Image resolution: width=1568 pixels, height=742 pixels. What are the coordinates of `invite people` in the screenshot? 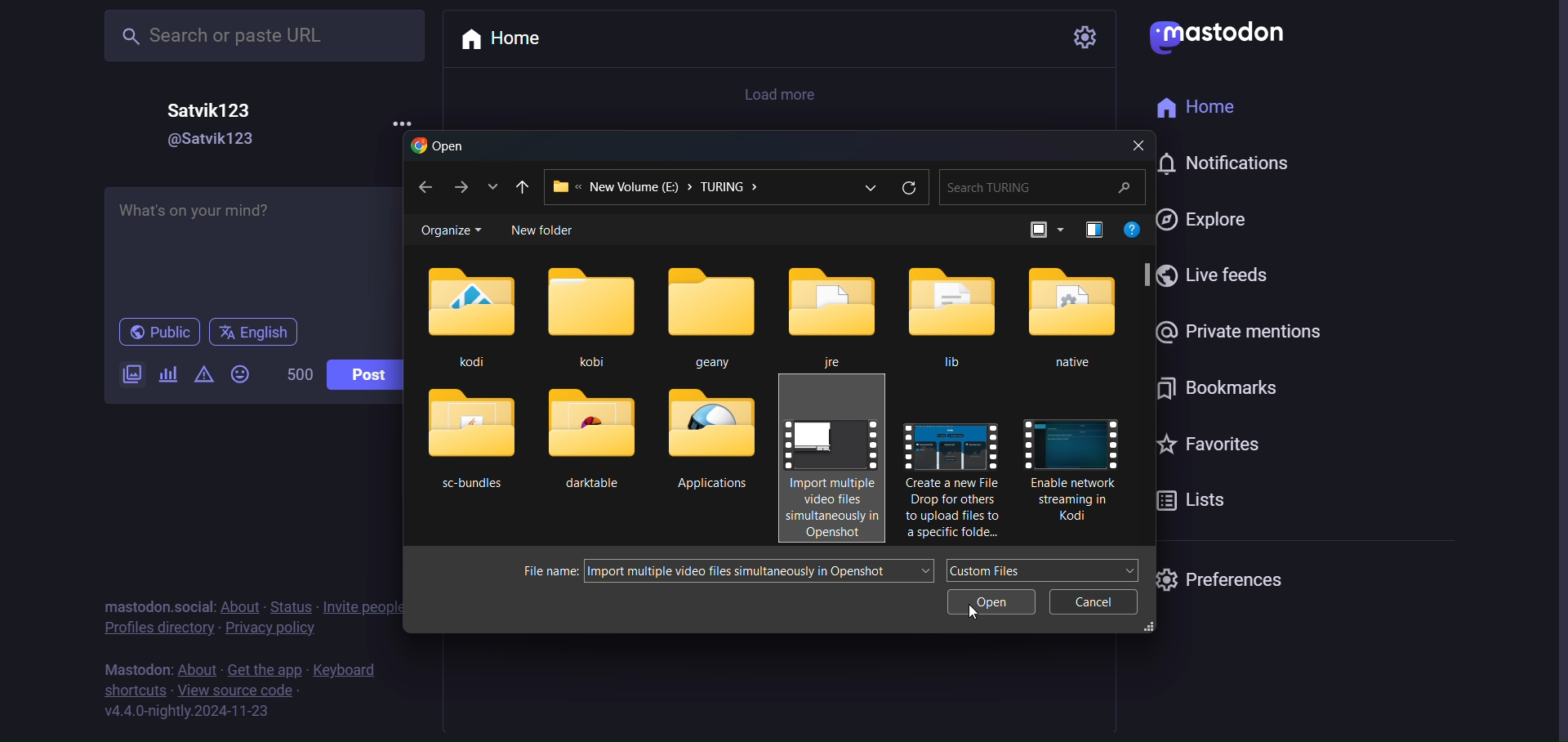 It's located at (366, 608).